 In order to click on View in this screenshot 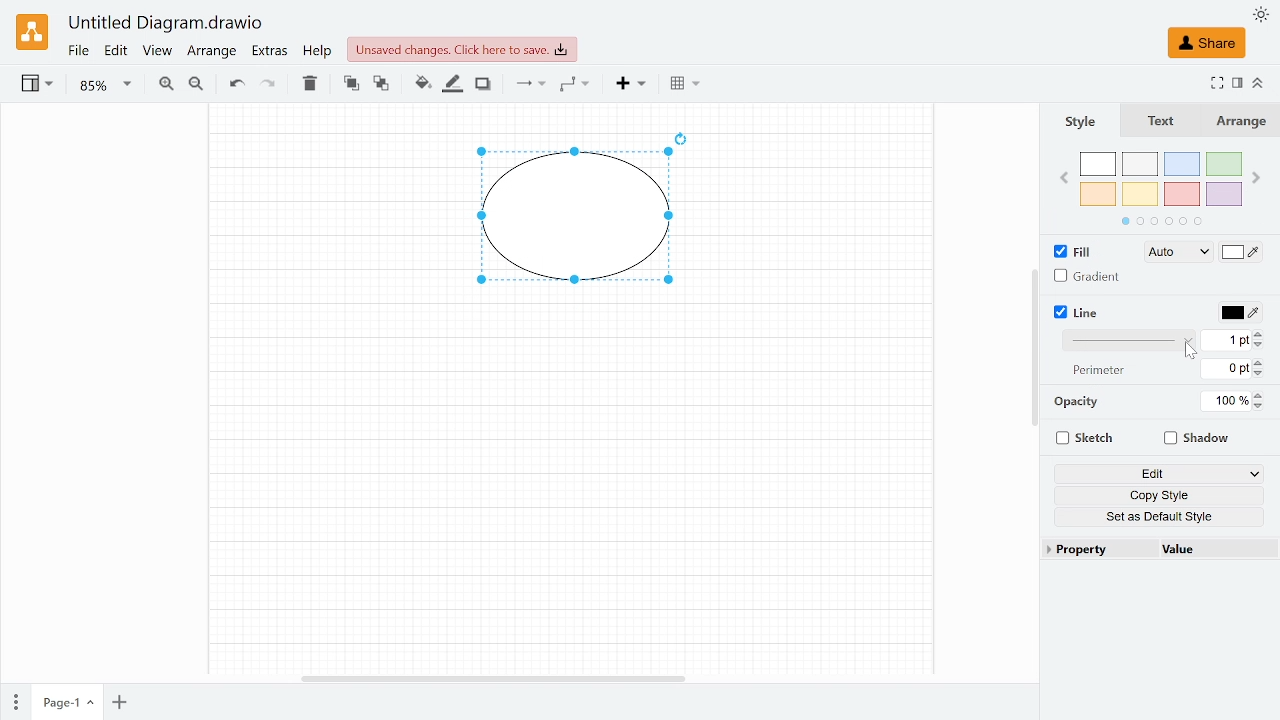, I will do `click(39, 86)`.